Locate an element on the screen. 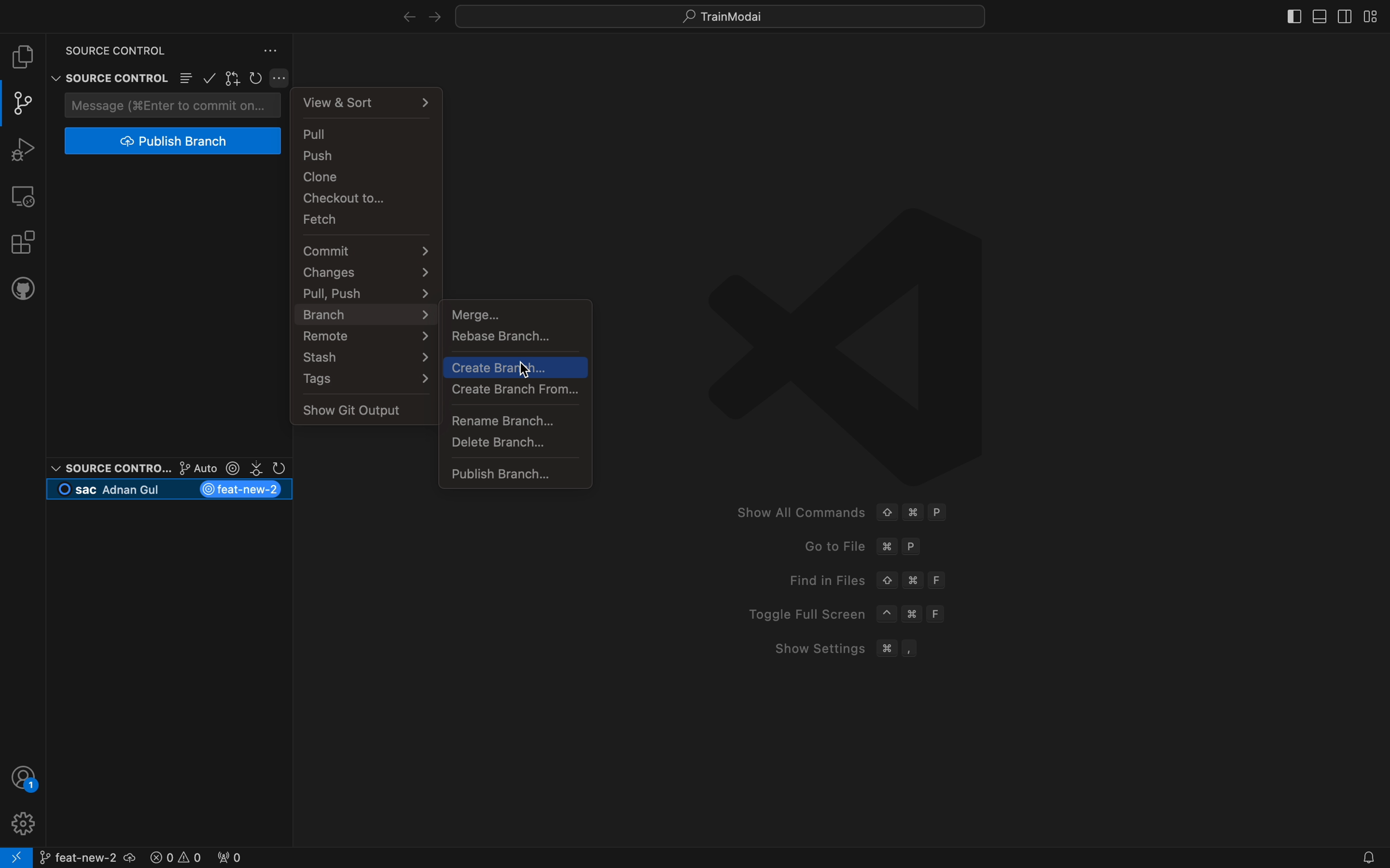  git lens options is located at coordinates (229, 468).